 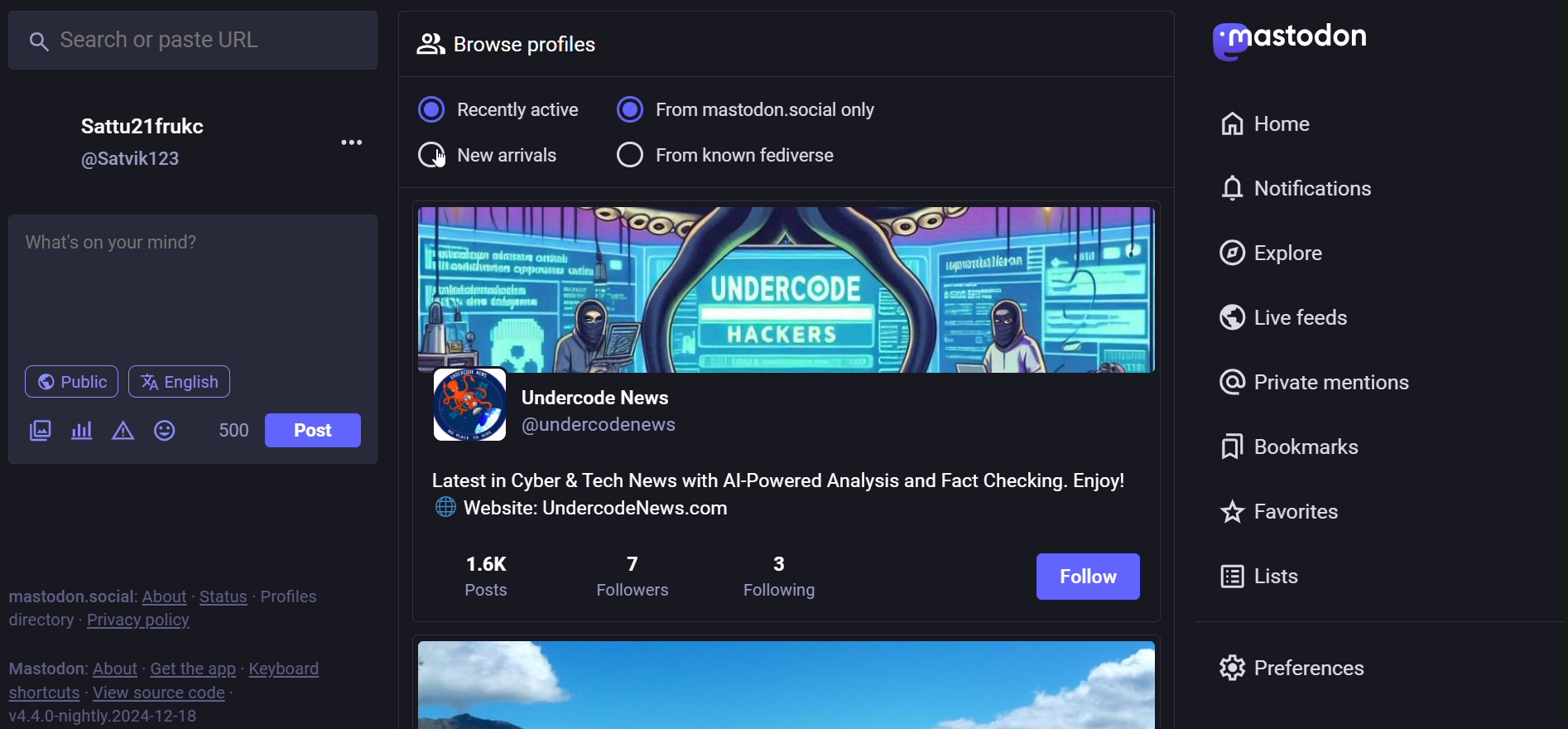 What do you see at coordinates (353, 142) in the screenshot?
I see `more` at bounding box center [353, 142].